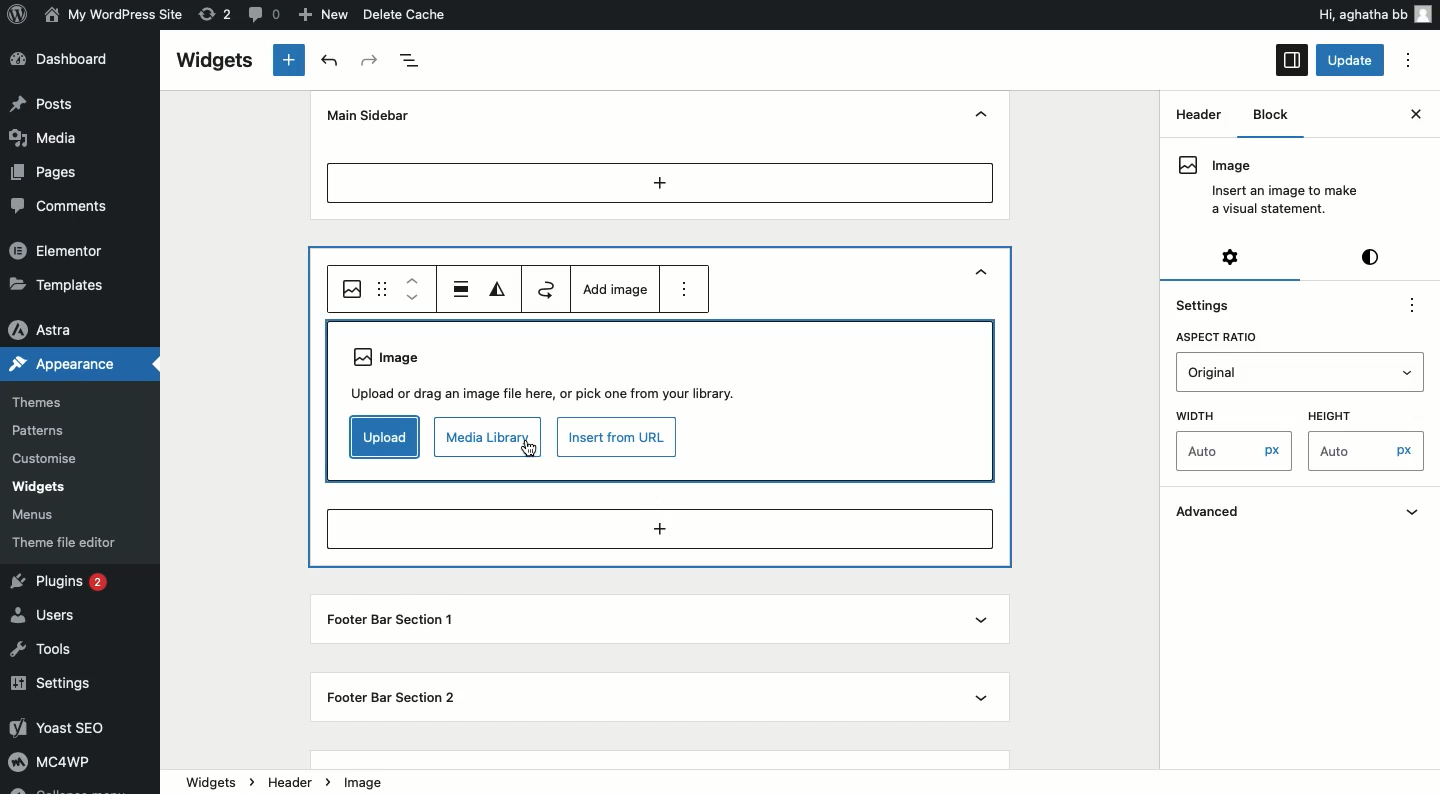  I want to click on Comment, so click(261, 13).